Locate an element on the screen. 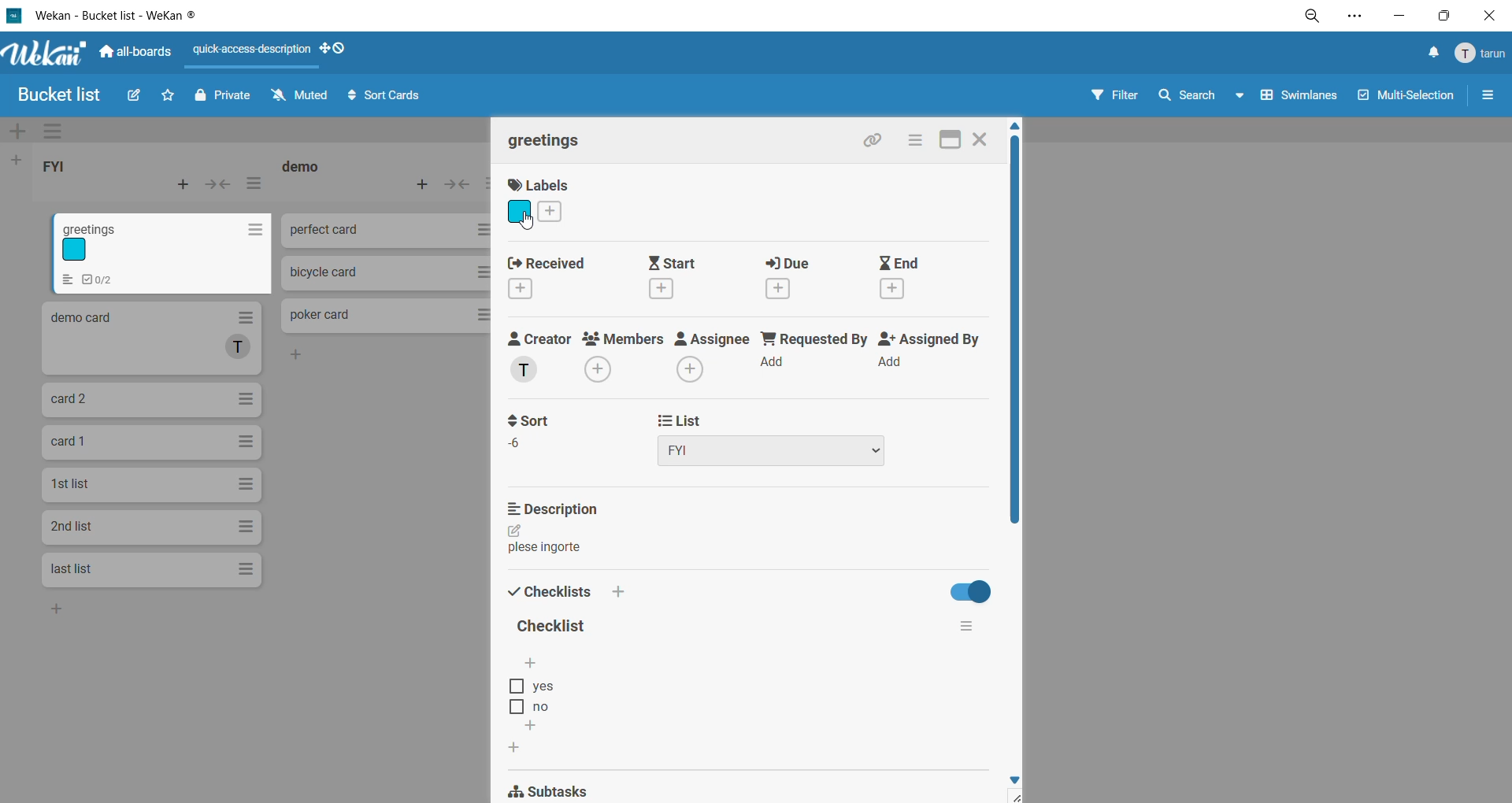 Image resolution: width=1512 pixels, height=803 pixels. end is located at coordinates (913, 275).